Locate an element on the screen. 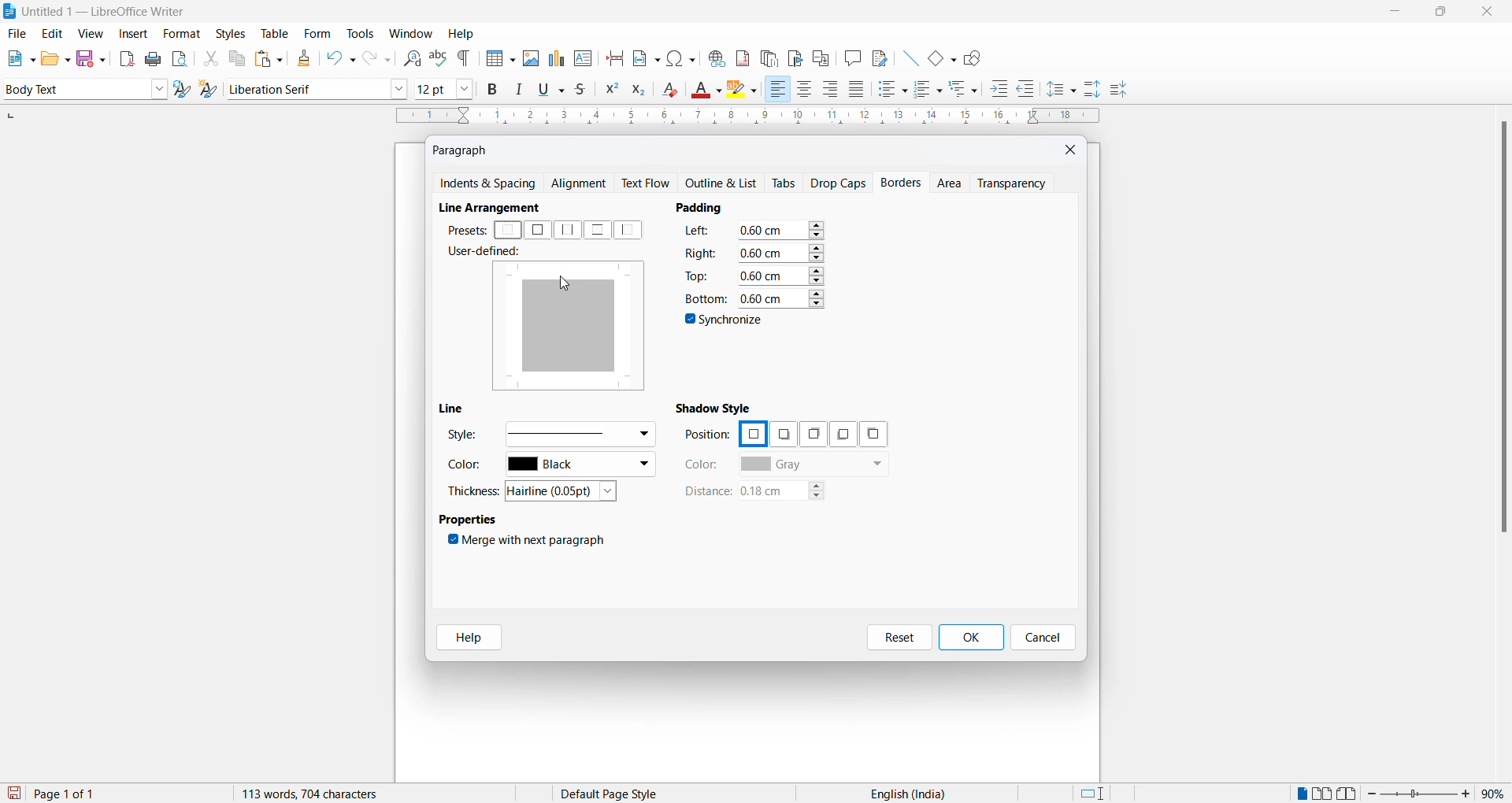 The width and height of the screenshot is (1512, 803). underline is located at coordinates (554, 89).